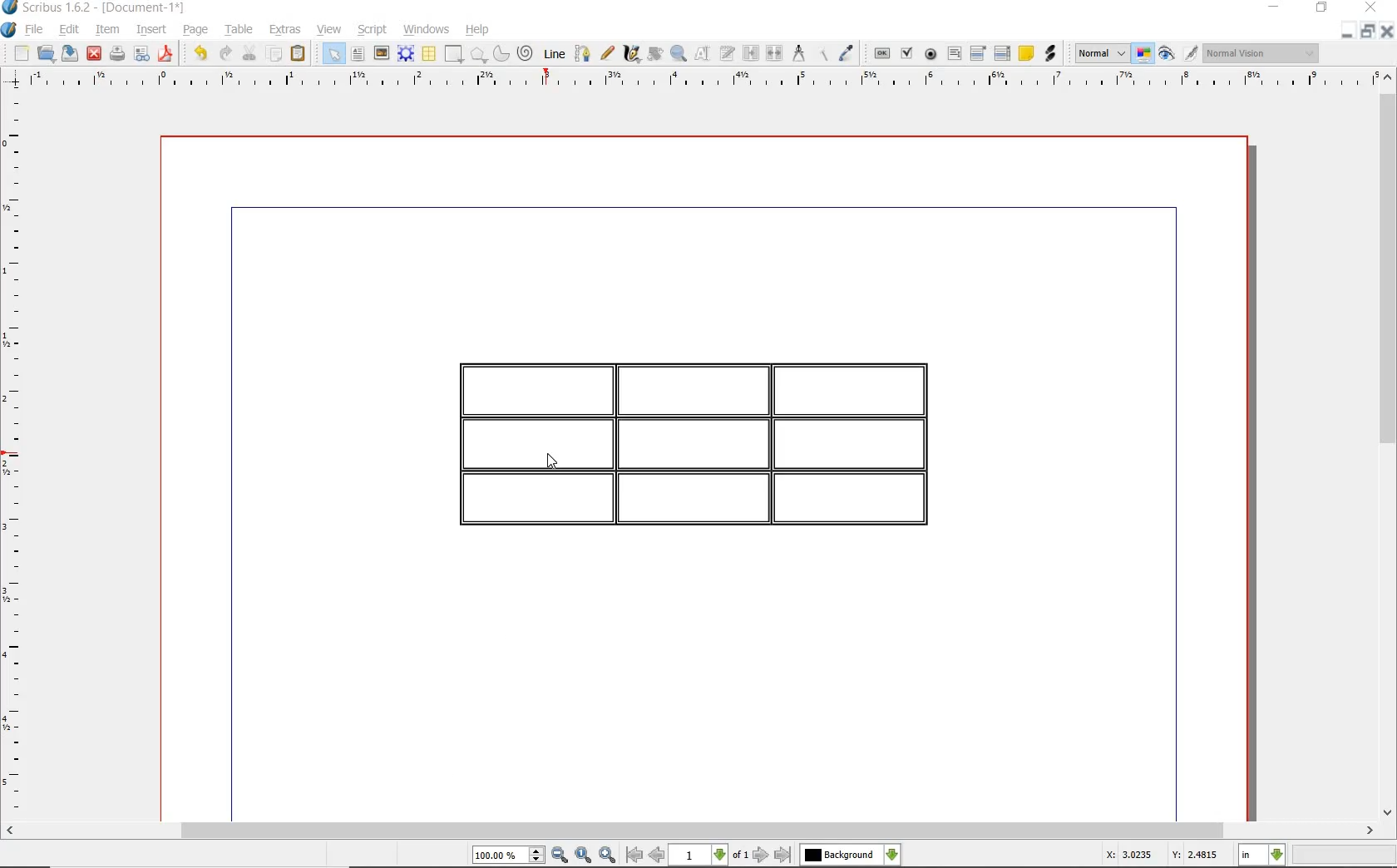  Describe the element at coordinates (1140, 52) in the screenshot. I see `toggle color management system` at that location.